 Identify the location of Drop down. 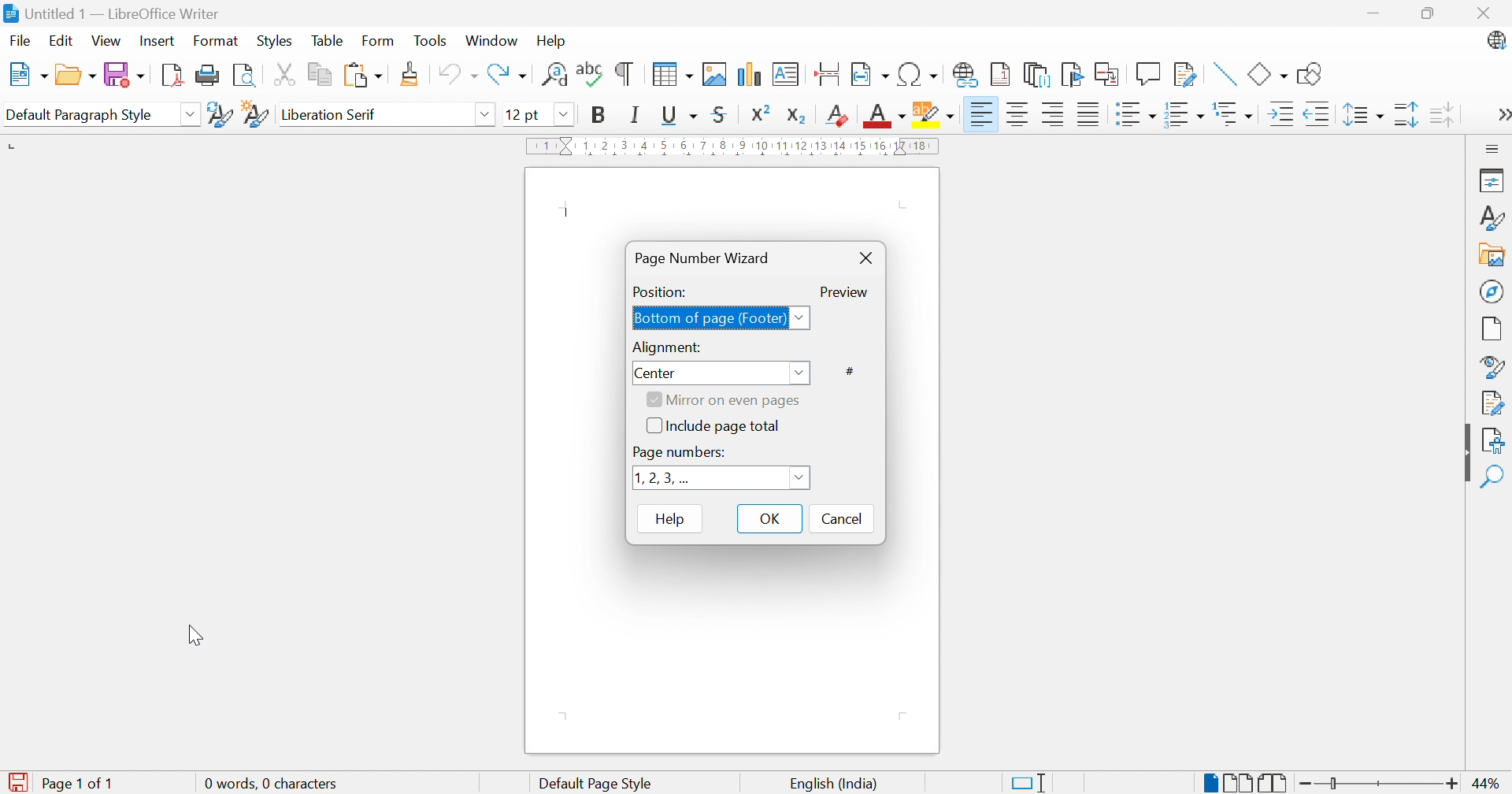
(566, 115).